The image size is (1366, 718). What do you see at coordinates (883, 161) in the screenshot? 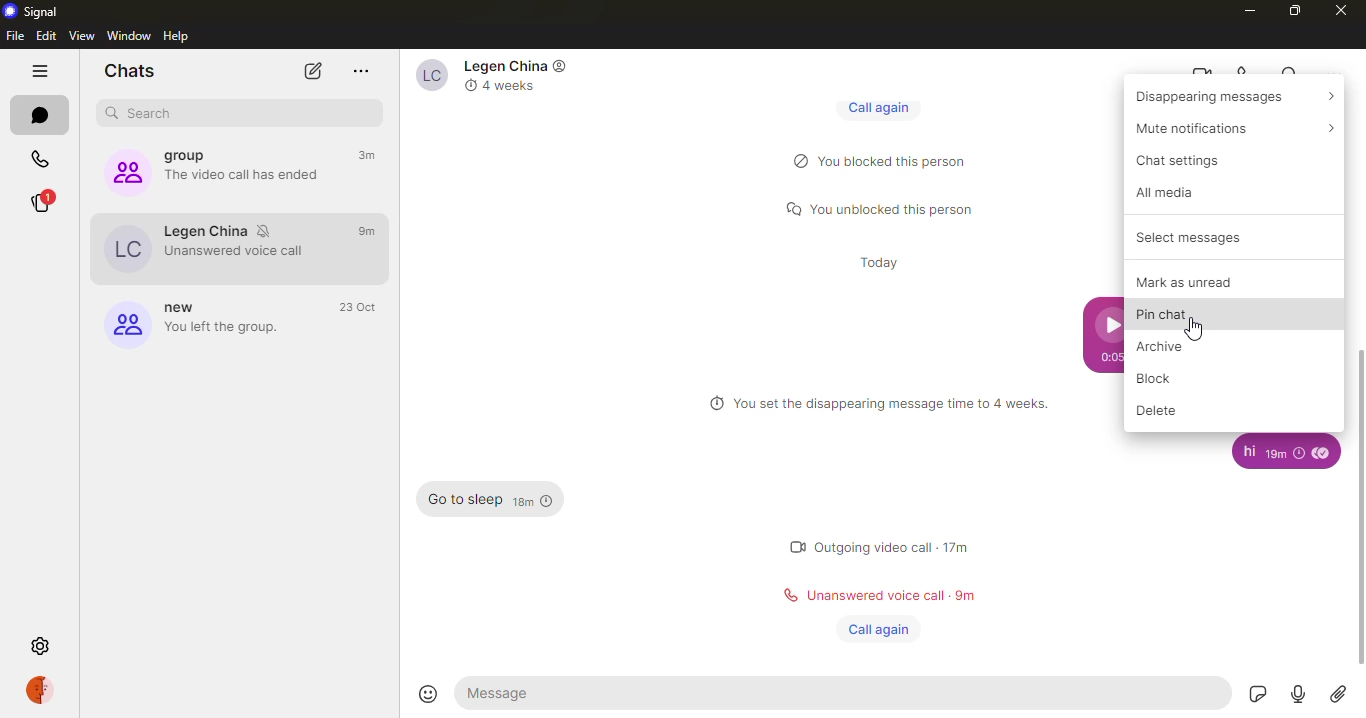
I see `status message` at bounding box center [883, 161].